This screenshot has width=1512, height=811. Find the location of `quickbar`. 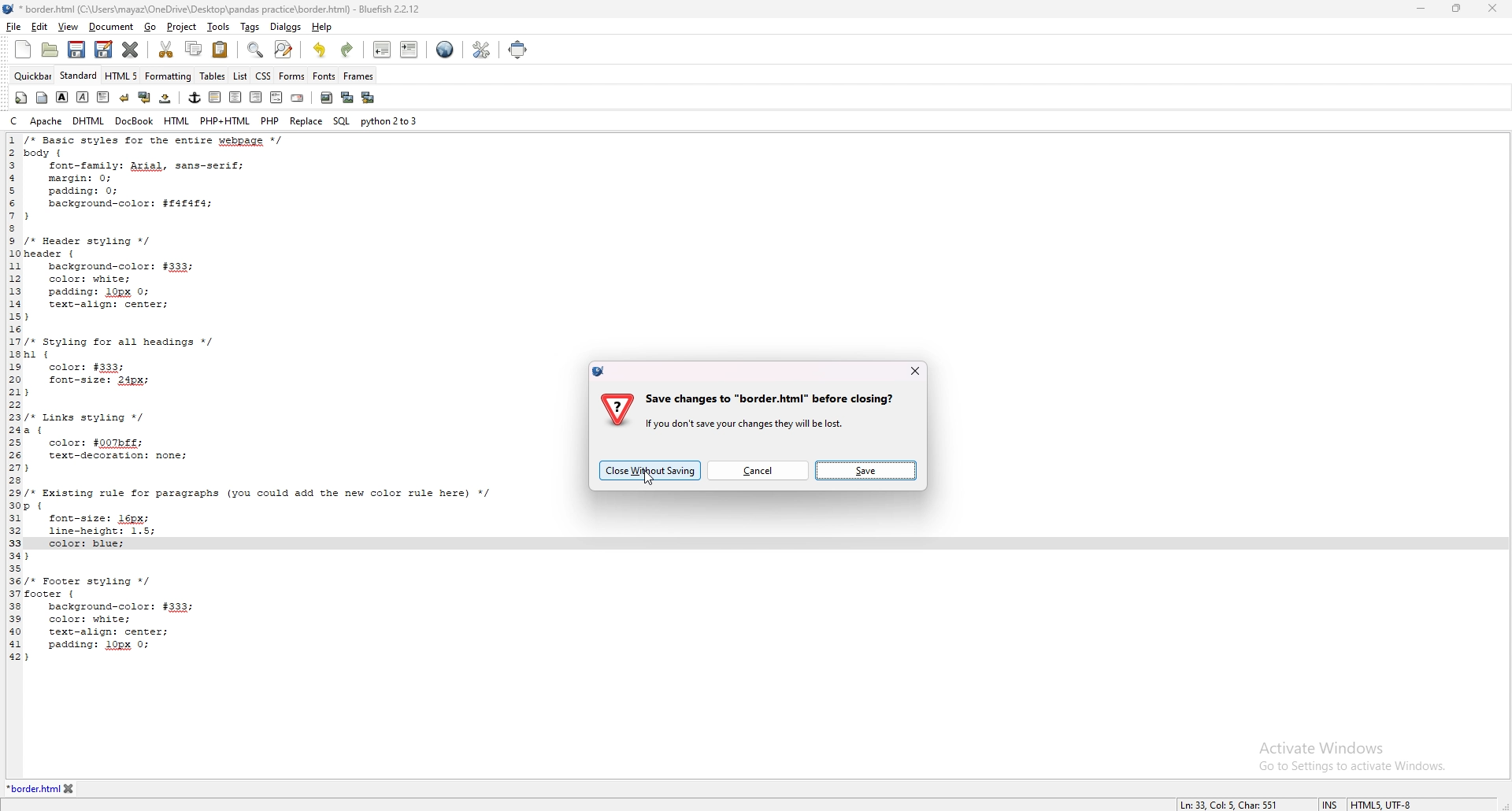

quickbar is located at coordinates (33, 76).